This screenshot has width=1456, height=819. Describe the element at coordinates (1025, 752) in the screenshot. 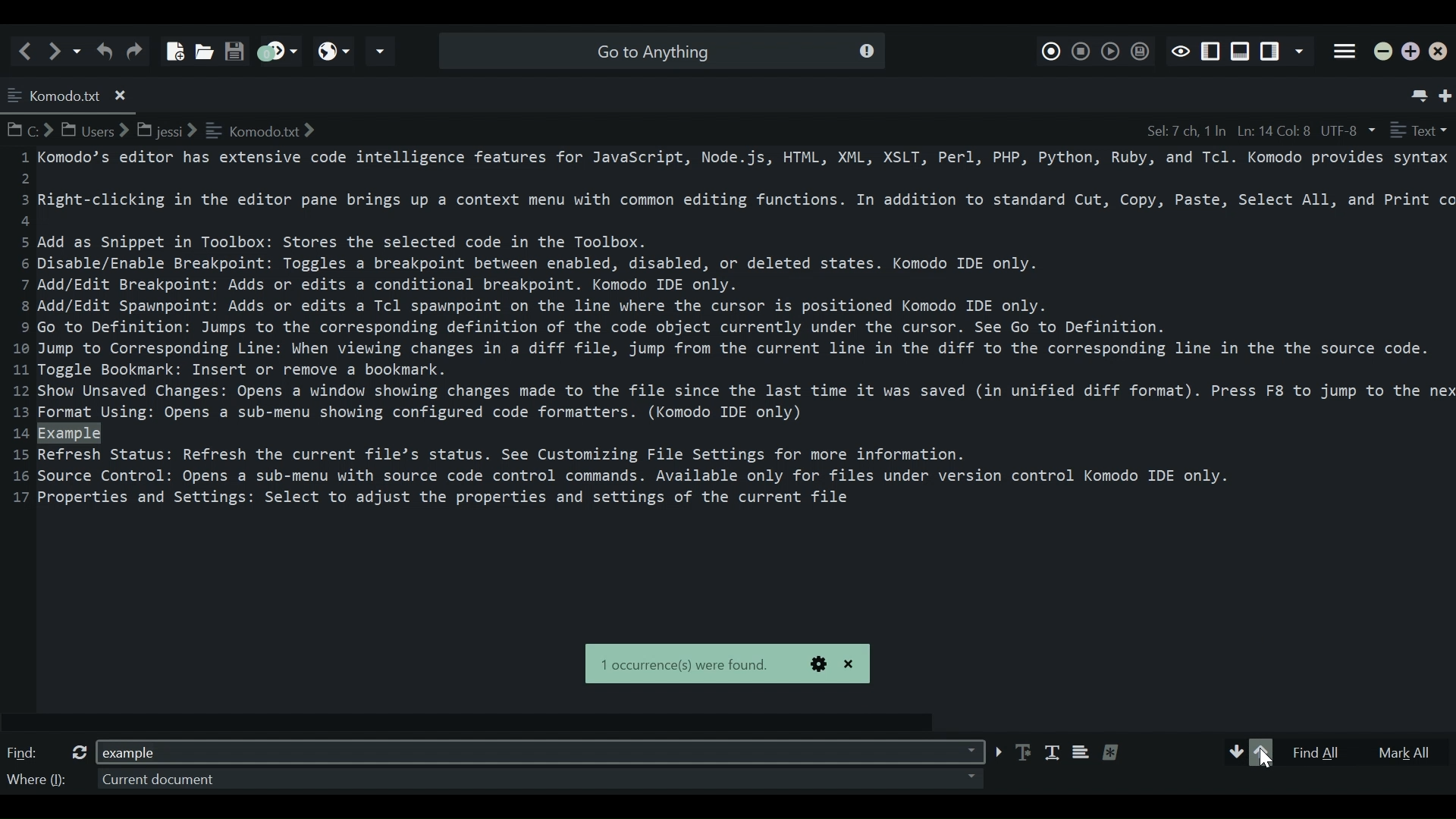

I see `Match Case` at that location.